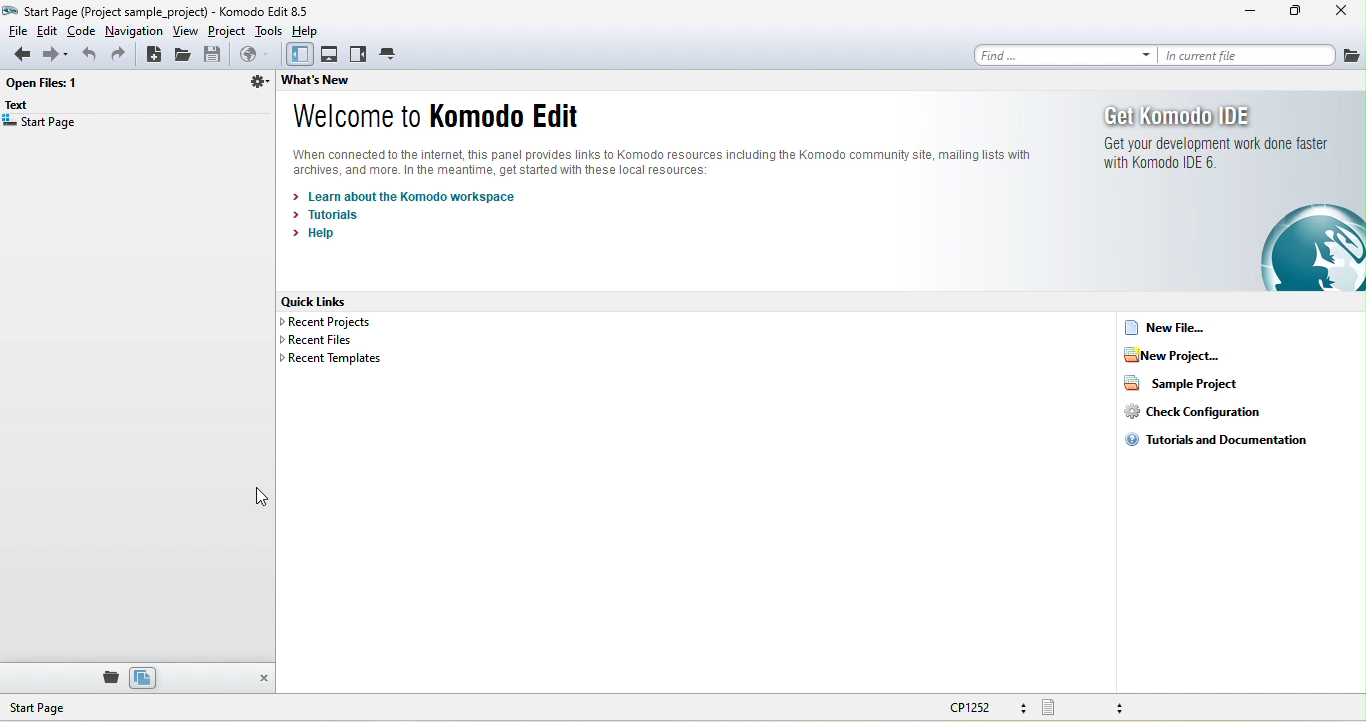 This screenshot has height=722, width=1366. I want to click on file, so click(1351, 54).